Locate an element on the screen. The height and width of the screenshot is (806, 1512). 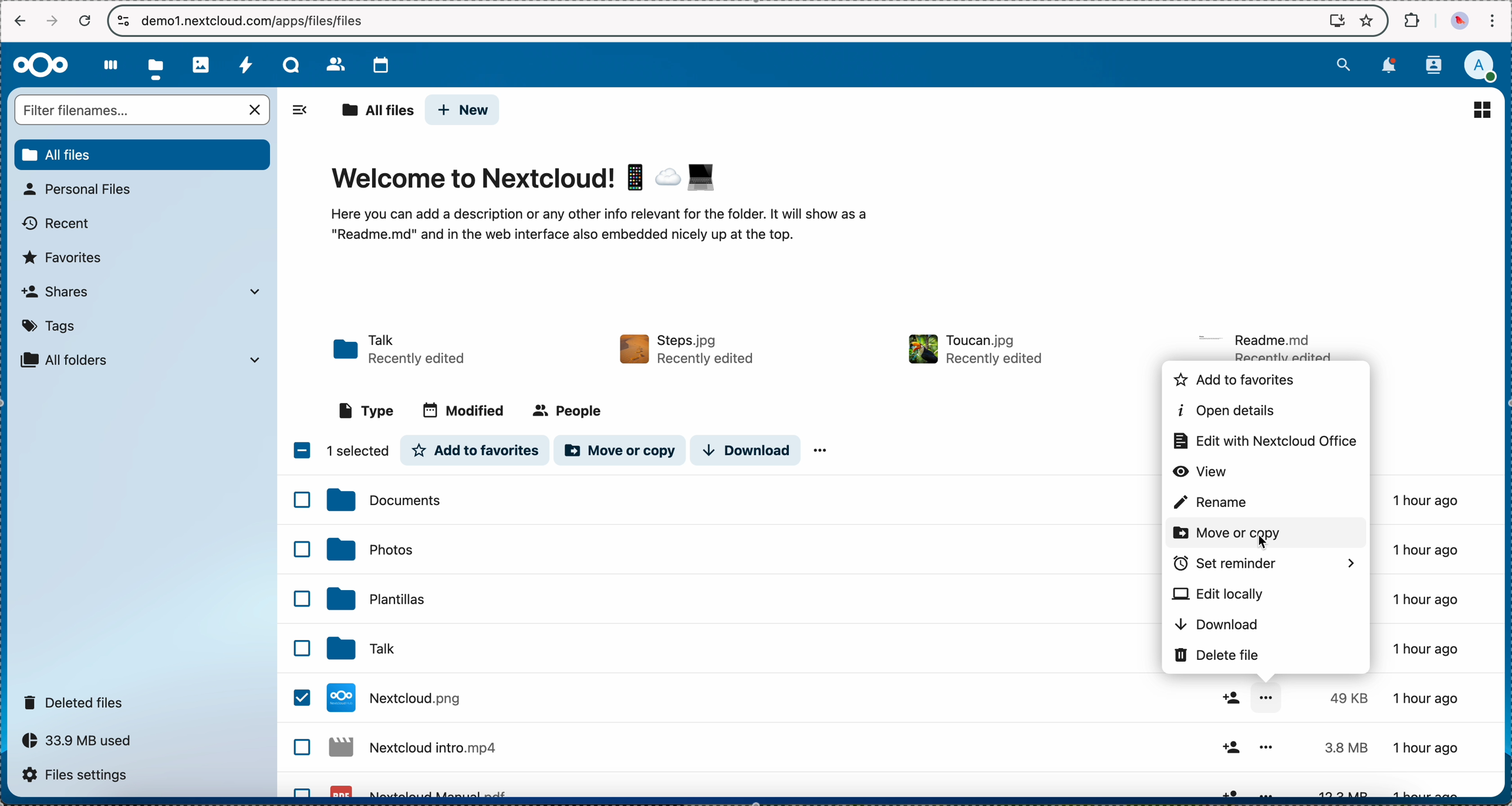
documents is located at coordinates (736, 499).